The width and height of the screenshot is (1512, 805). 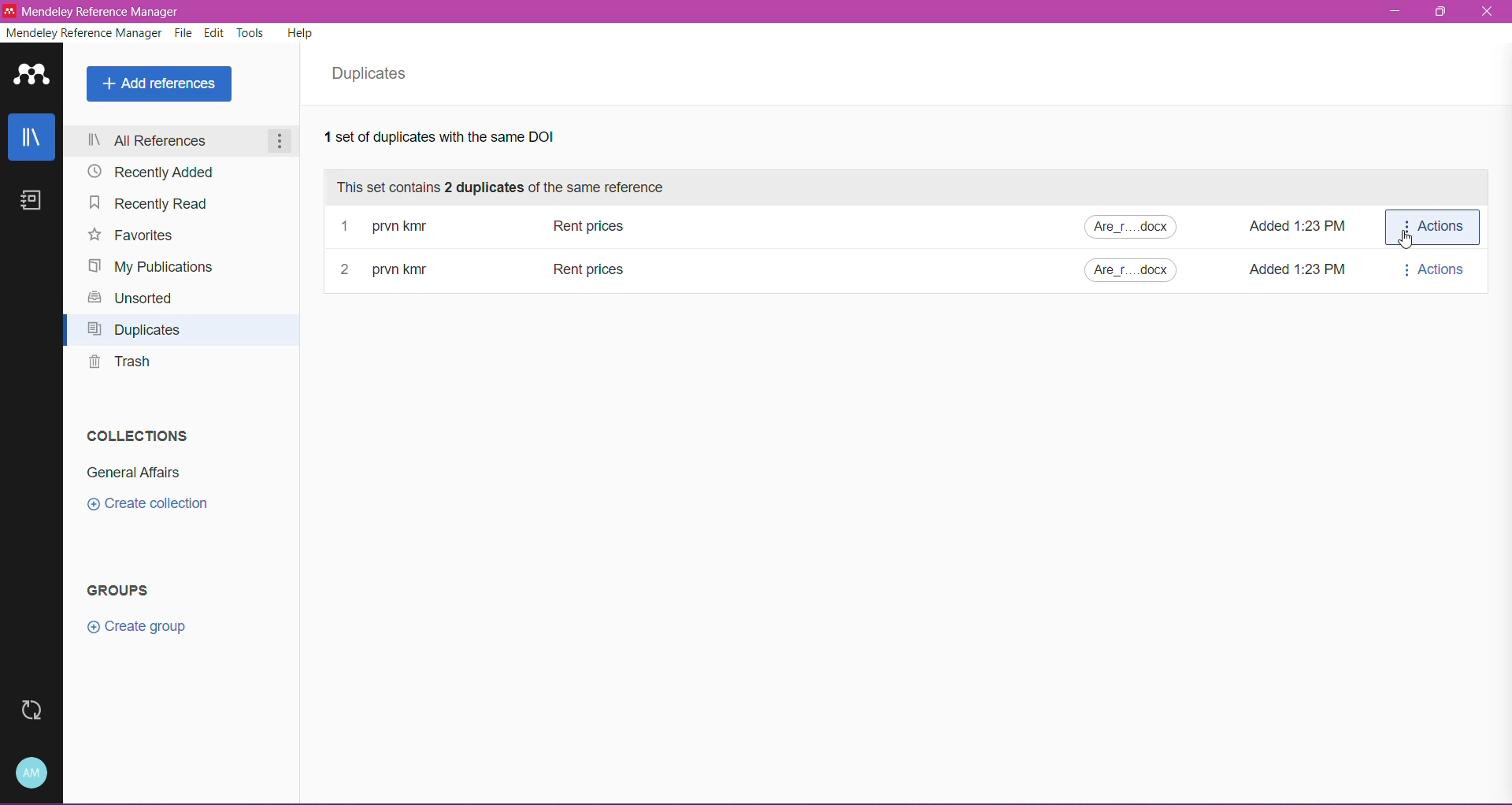 I want to click on Groups, so click(x=124, y=591).